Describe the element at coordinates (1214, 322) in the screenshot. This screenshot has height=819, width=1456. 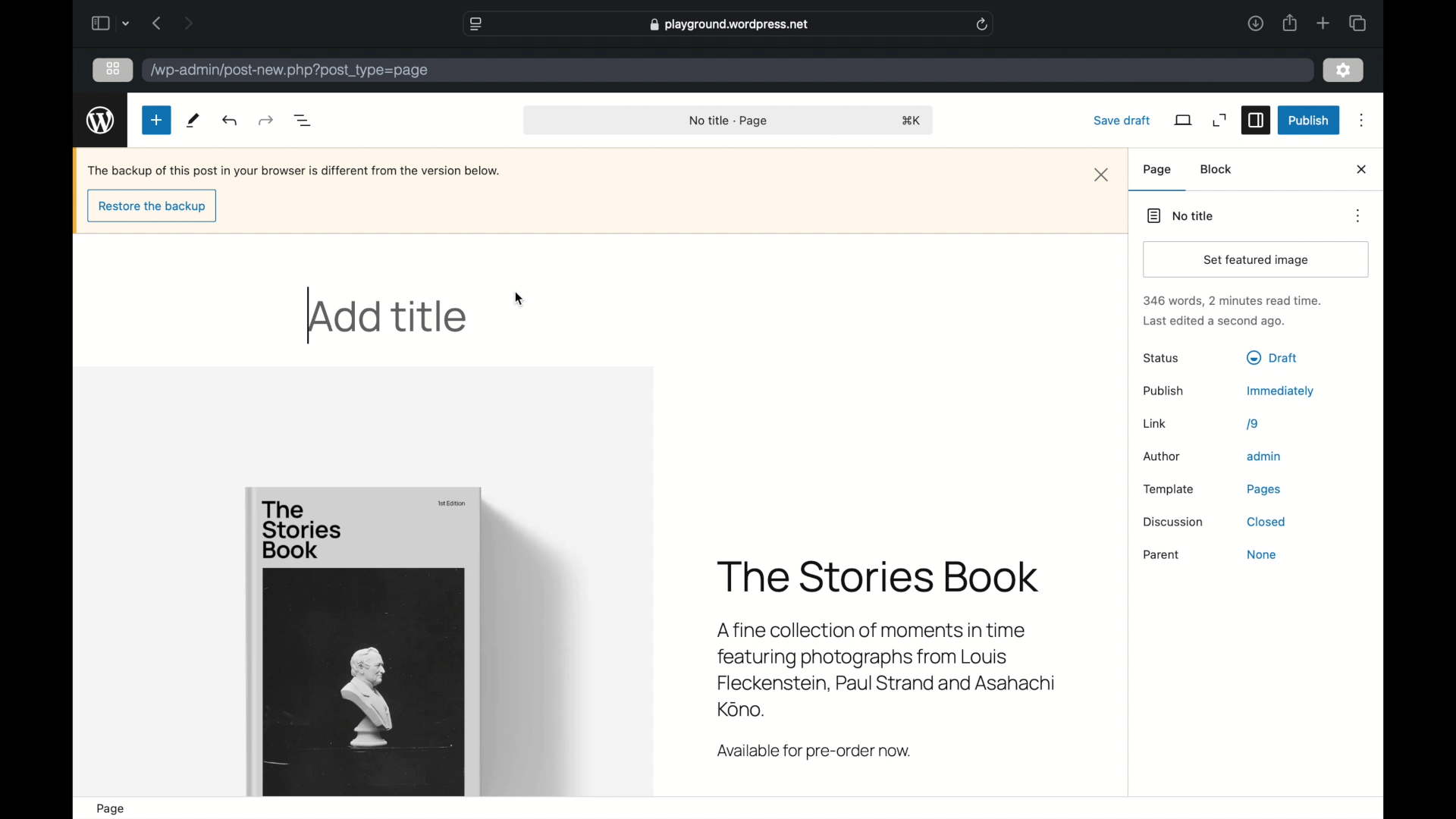
I see `last edited a second ago` at that location.